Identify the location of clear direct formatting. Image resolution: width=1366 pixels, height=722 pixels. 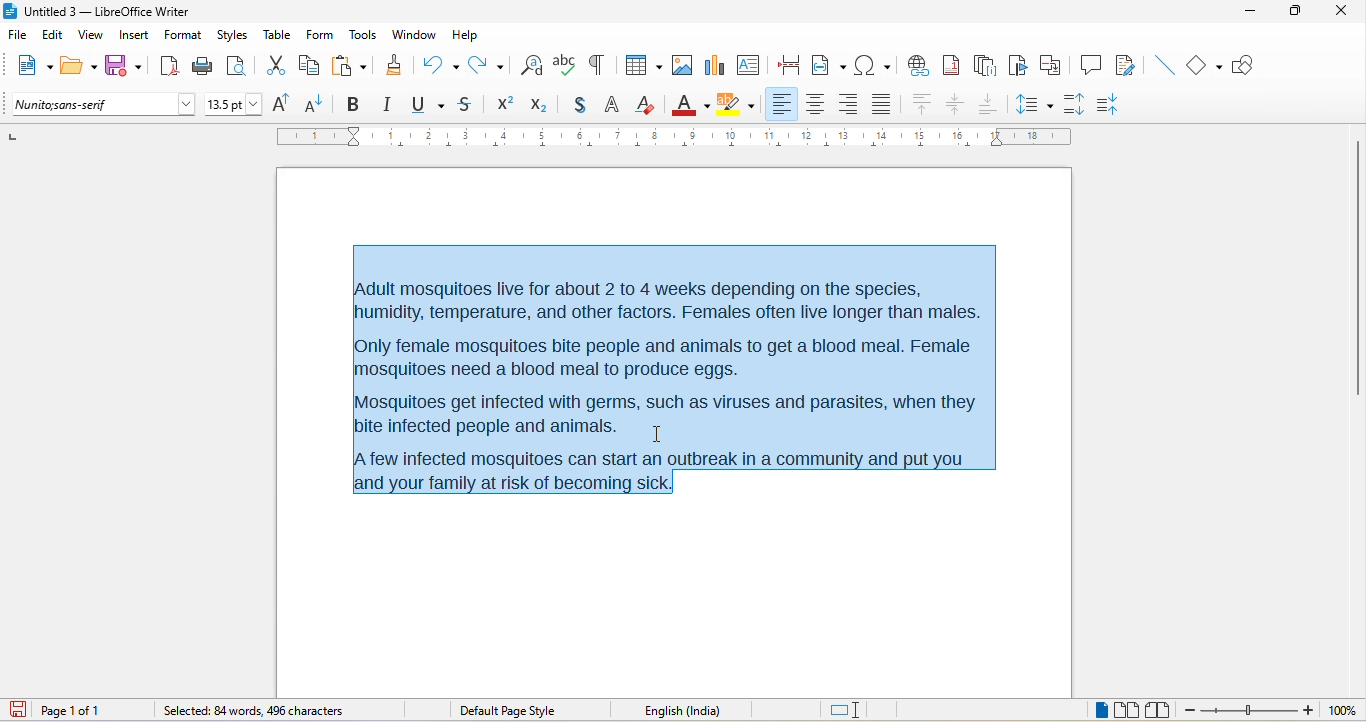
(646, 104).